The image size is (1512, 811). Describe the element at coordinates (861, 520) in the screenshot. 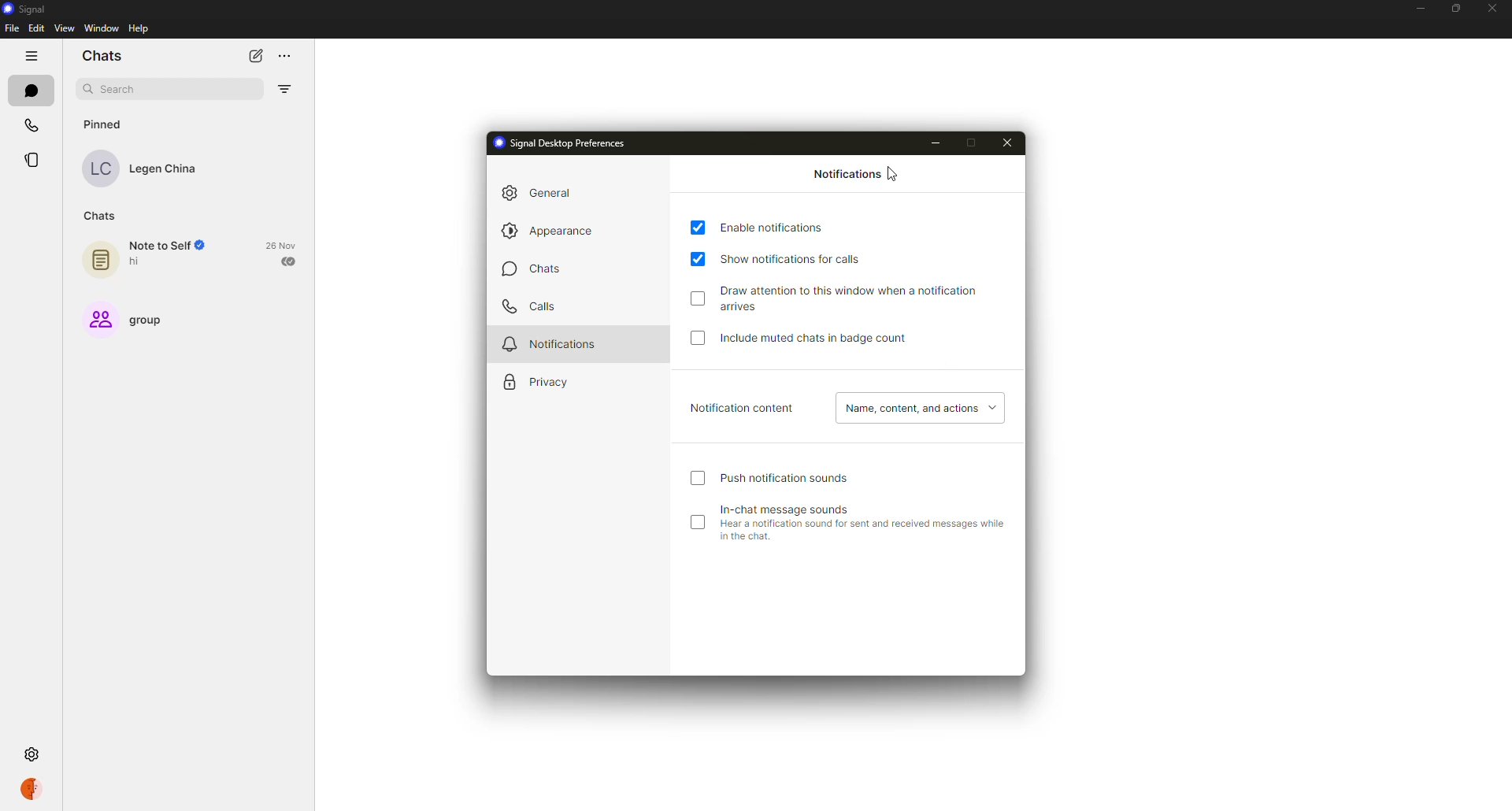

I see `in-chat message sounds` at that location.